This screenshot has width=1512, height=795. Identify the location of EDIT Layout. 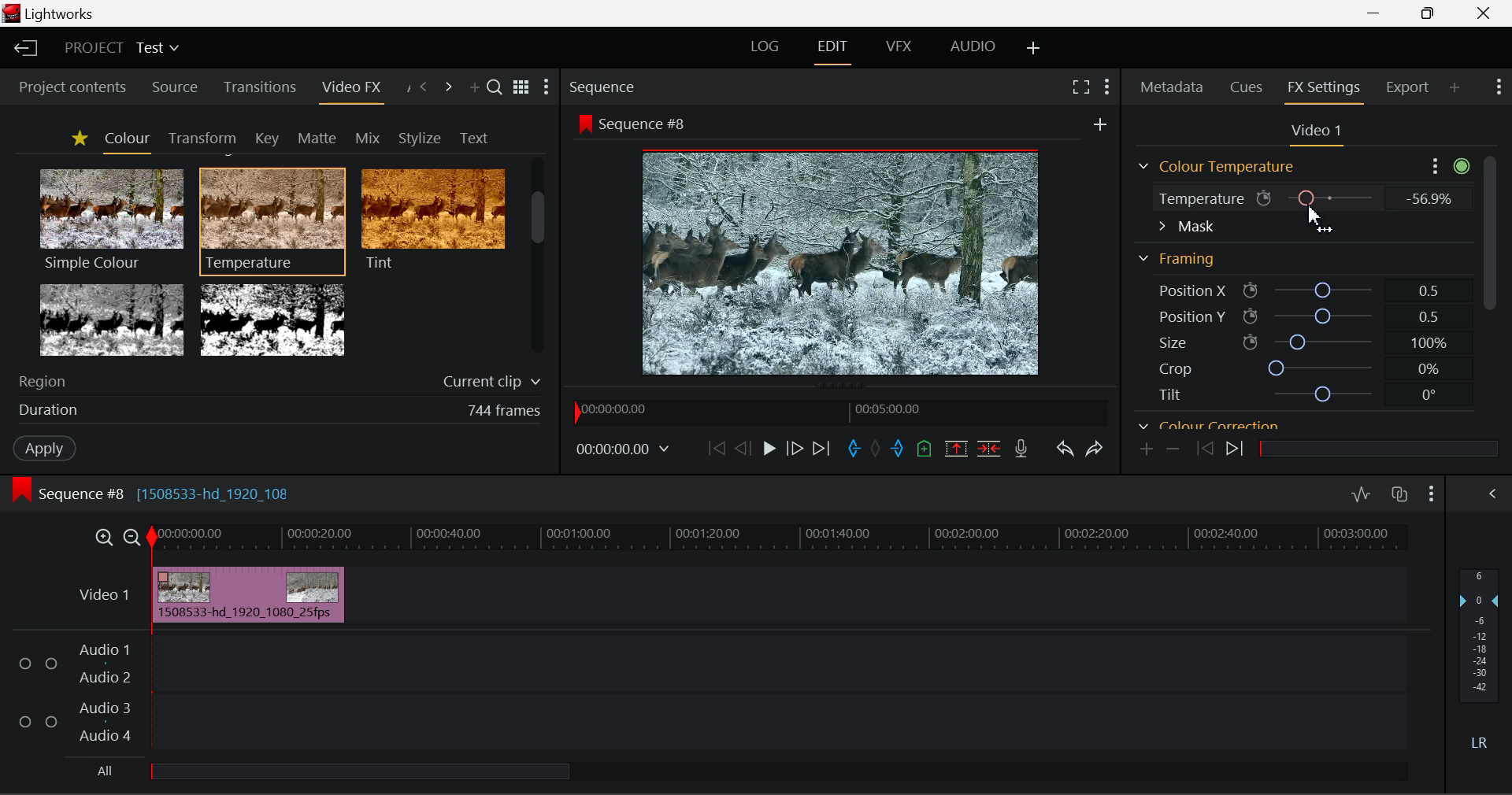
(832, 51).